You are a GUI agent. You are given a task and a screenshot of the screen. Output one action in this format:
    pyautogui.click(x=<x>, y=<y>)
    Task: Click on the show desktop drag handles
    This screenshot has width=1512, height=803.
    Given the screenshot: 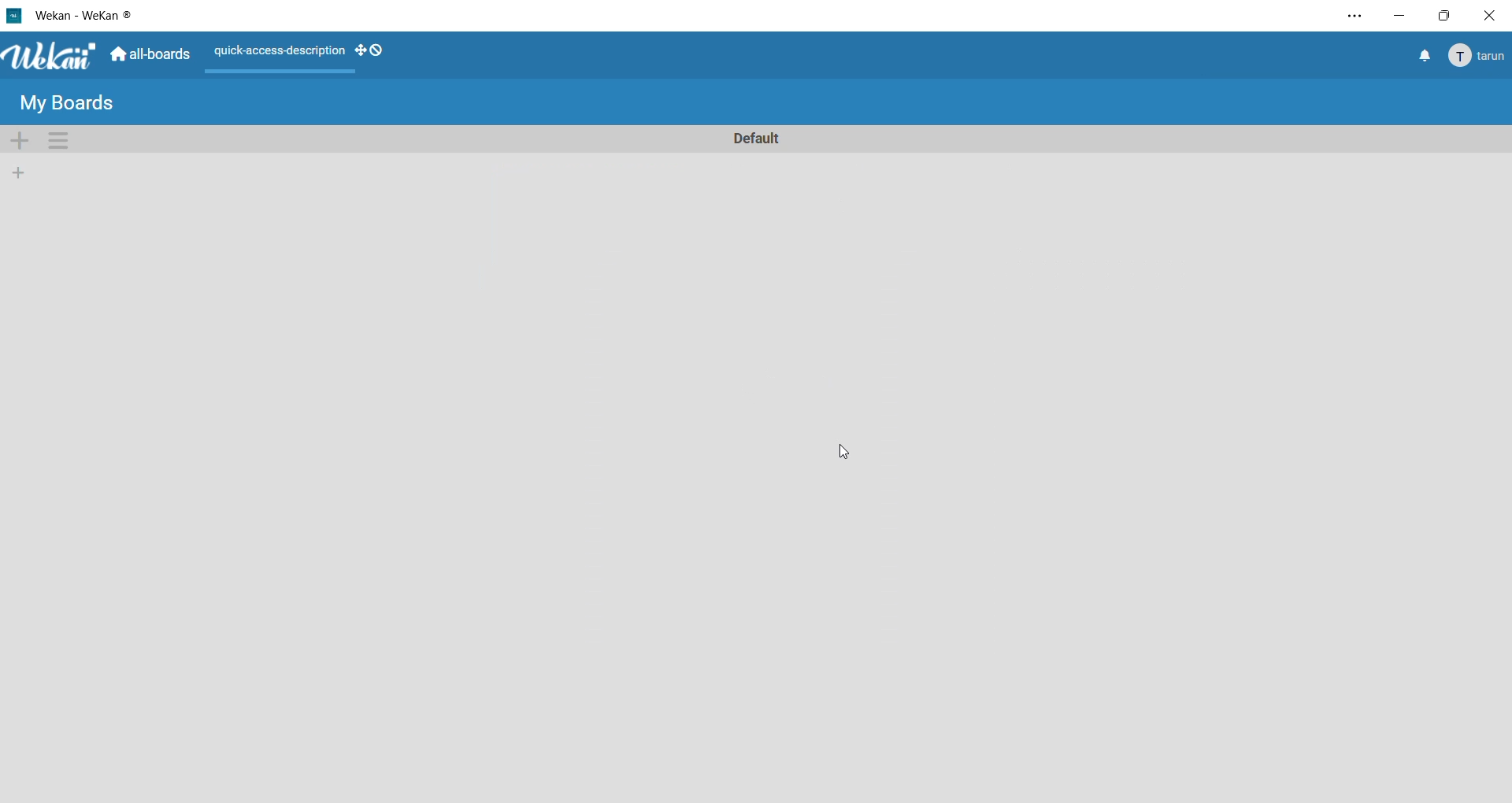 What is the action you would take?
    pyautogui.click(x=372, y=50)
    